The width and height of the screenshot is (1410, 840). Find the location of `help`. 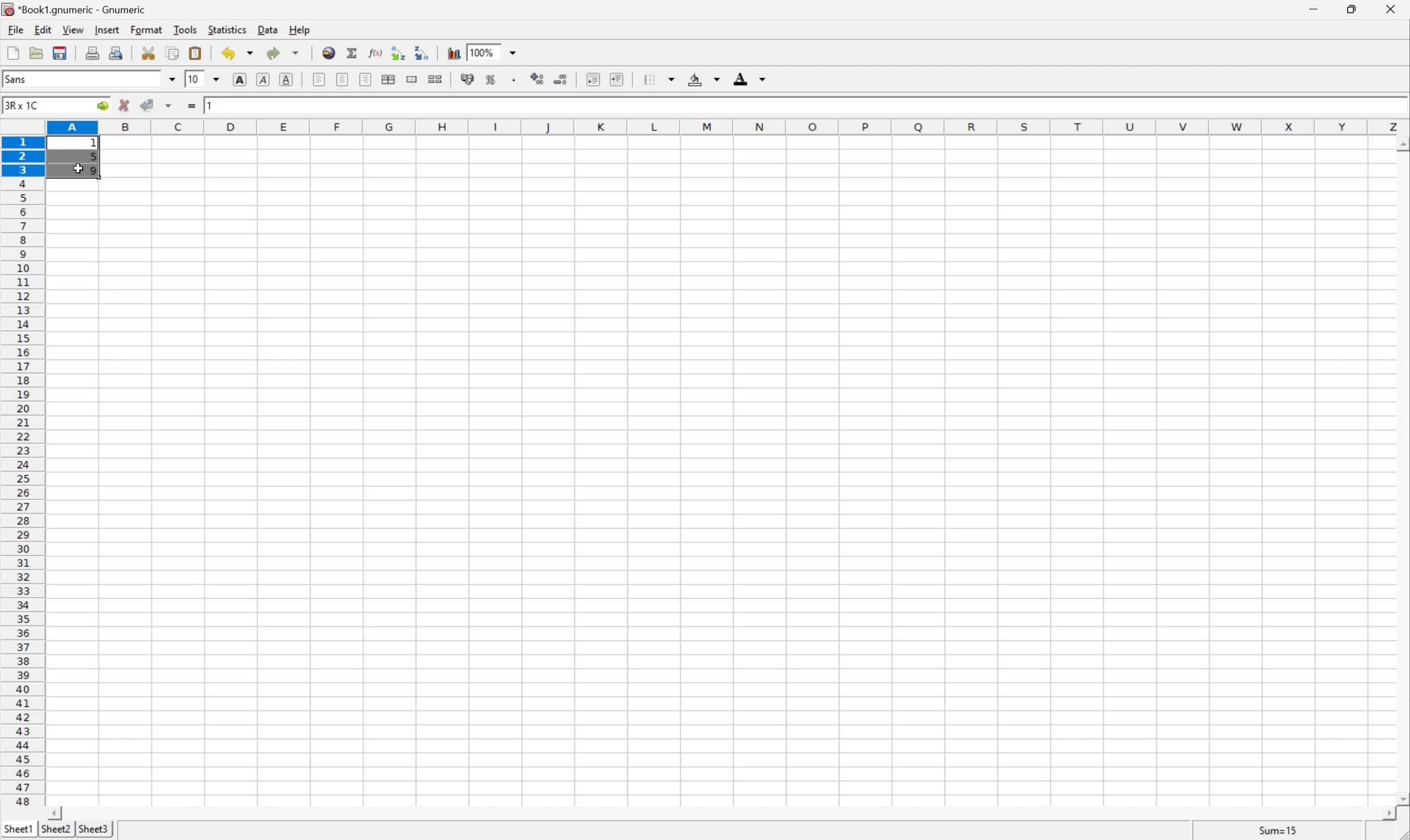

help is located at coordinates (301, 29).